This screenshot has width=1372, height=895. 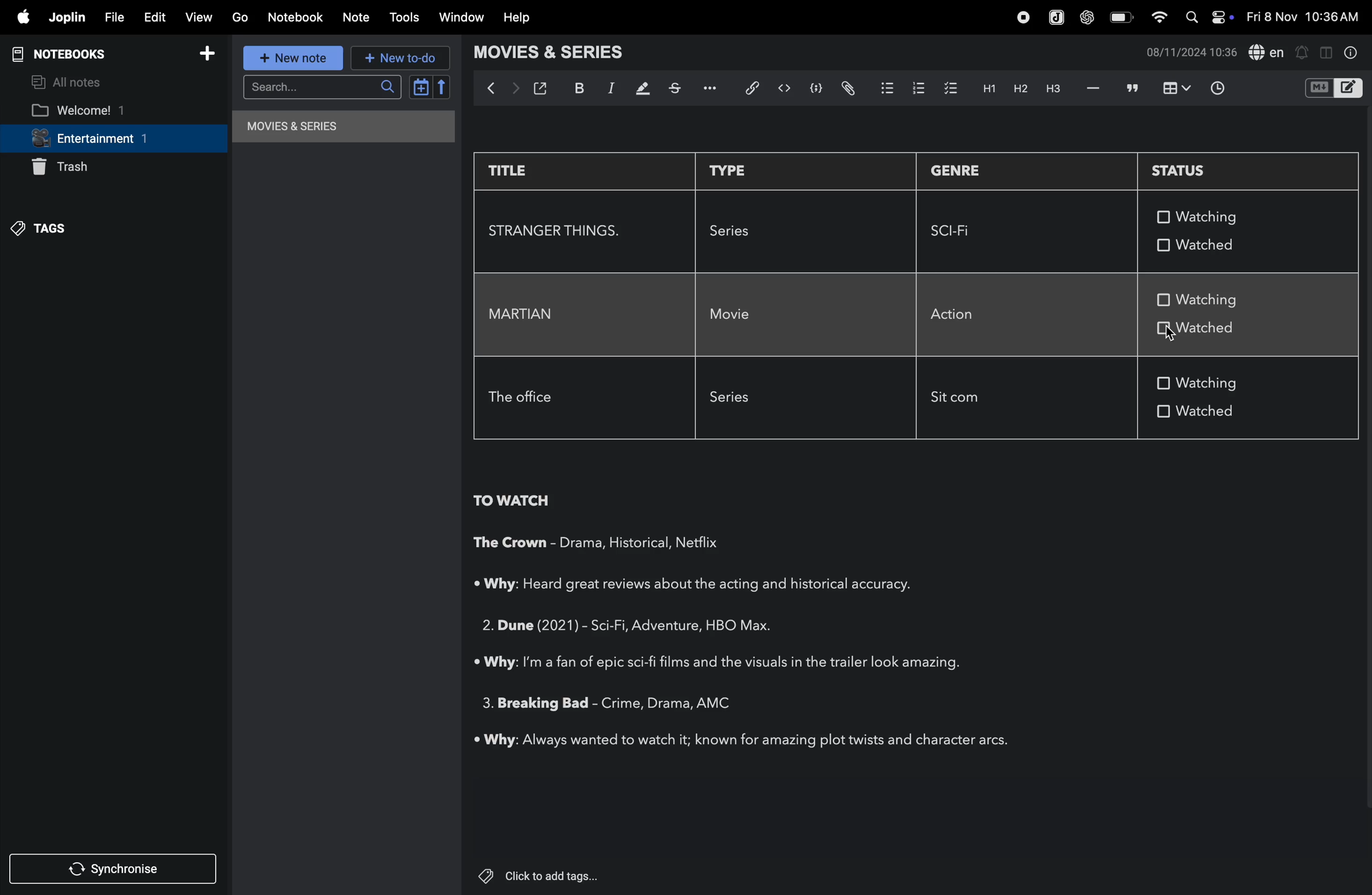 What do you see at coordinates (644, 628) in the screenshot?
I see `Genre` at bounding box center [644, 628].